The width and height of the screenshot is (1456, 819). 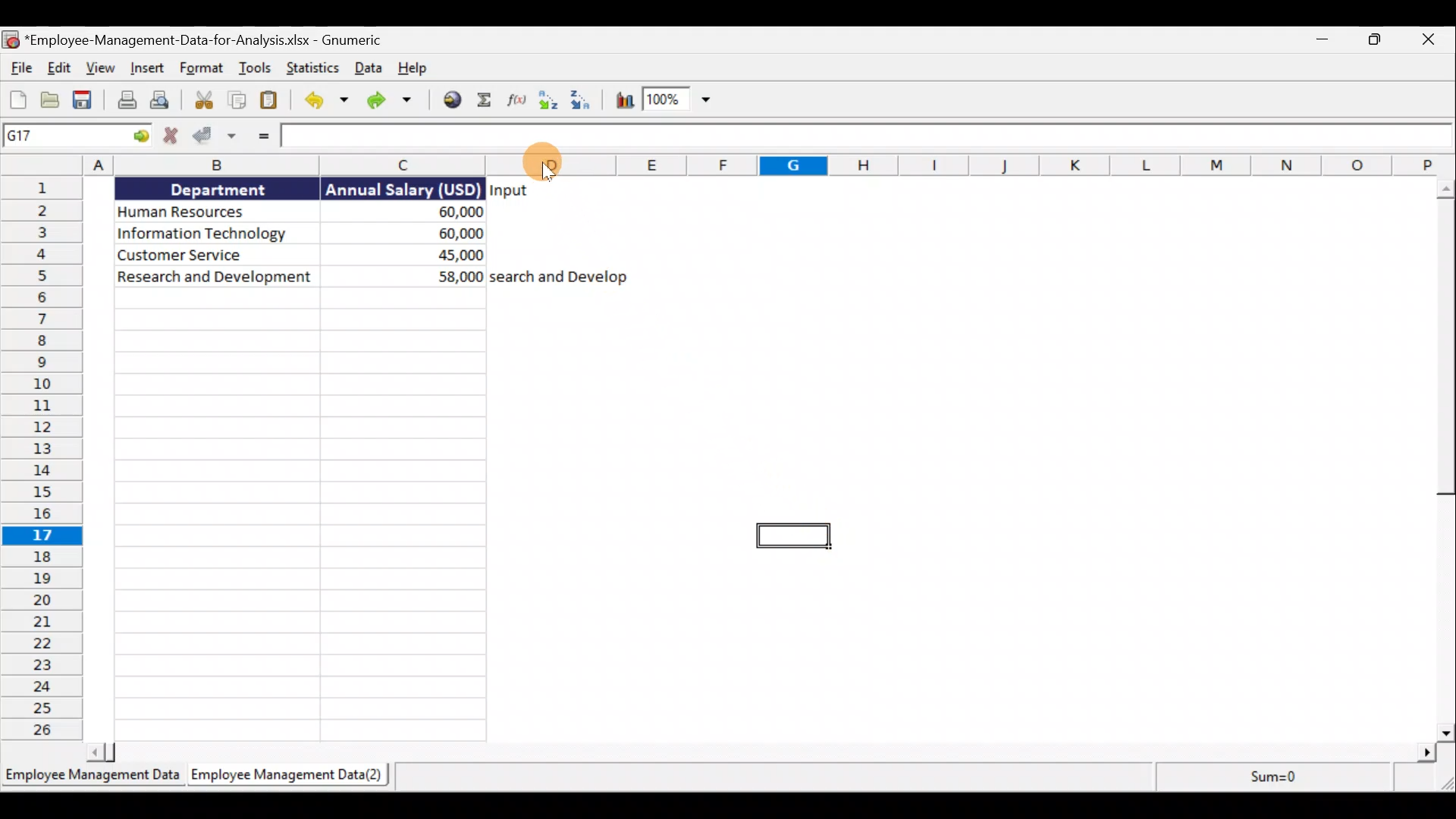 I want to click on Sort descending, so click(x=583, y=102).